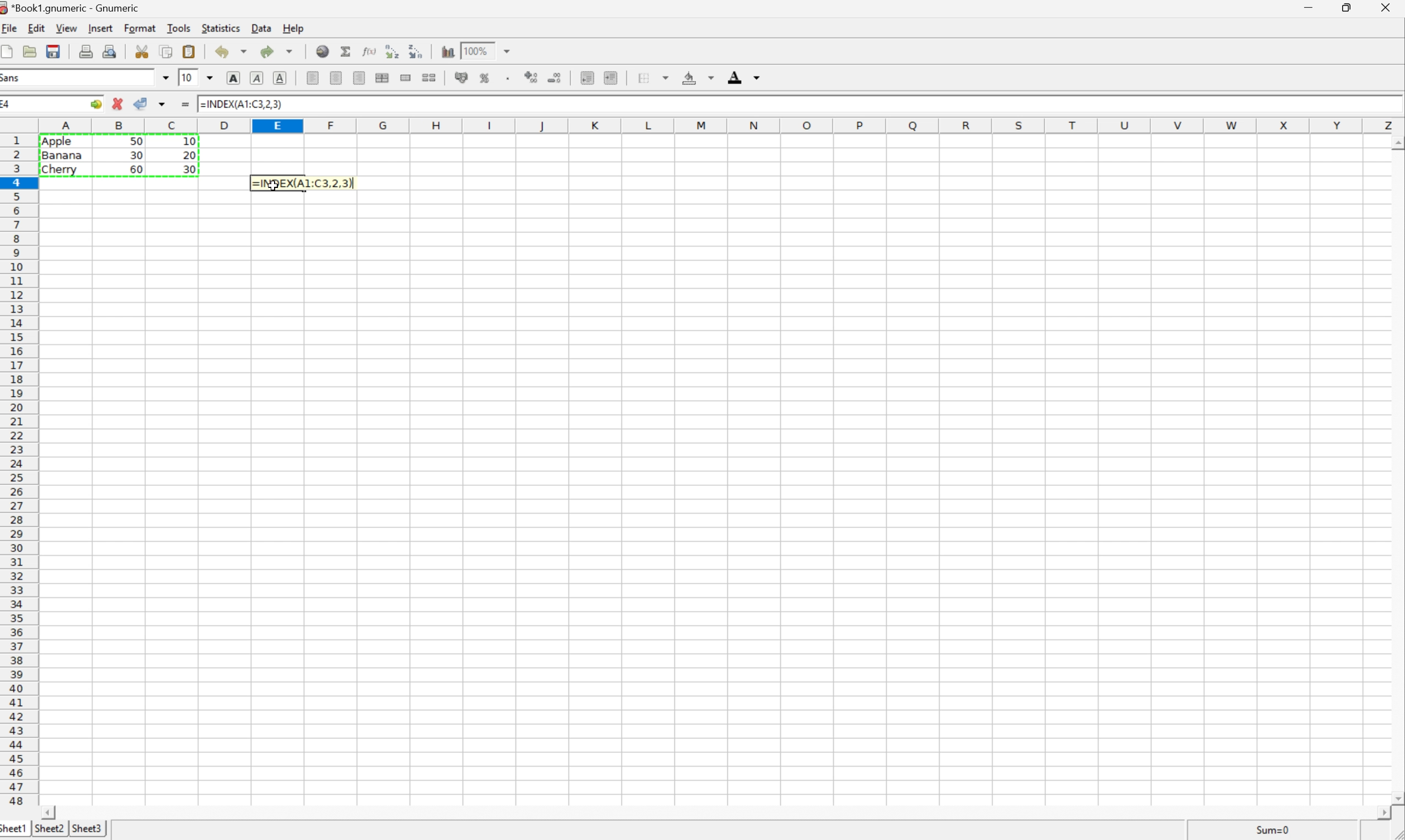 The height and width of the screenshot is (840, 1405). Describe the element at coordinates (449, 50) in the screenshot. I see `insert chart` at that location.